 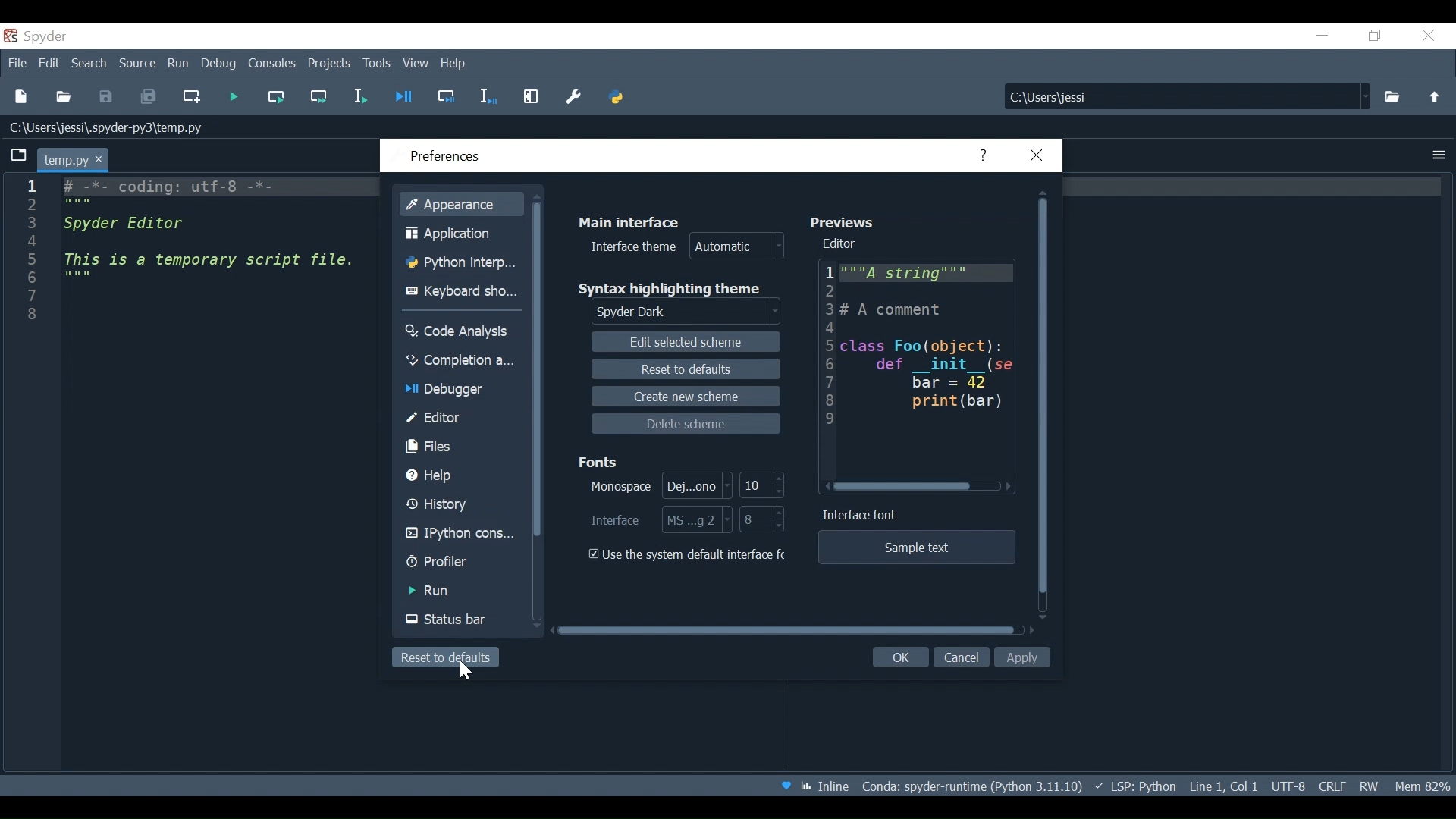 What do you see at coordinates (1330, 786) in the screenshot?
I see `File EQL Status` at bounding box center [1330, 786].